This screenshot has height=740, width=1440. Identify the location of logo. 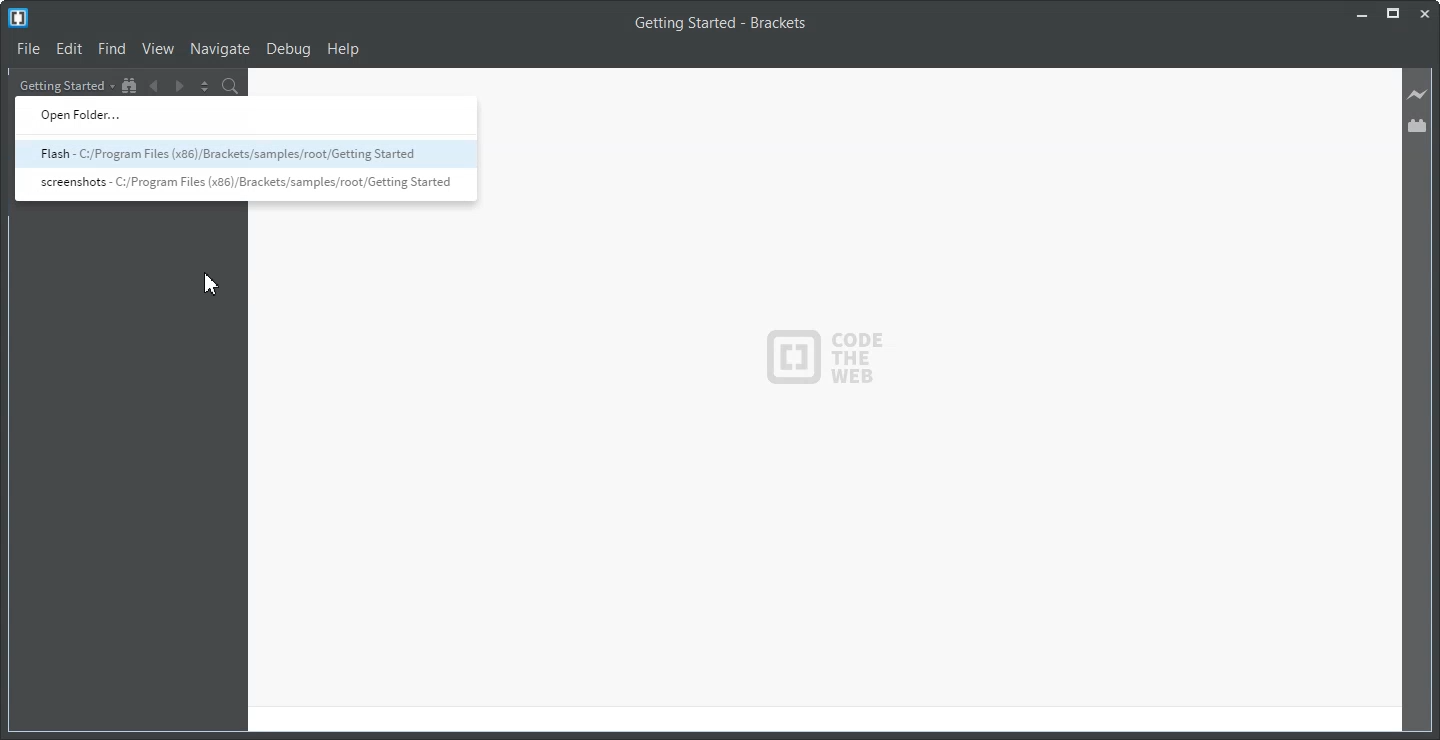
(832, 360).